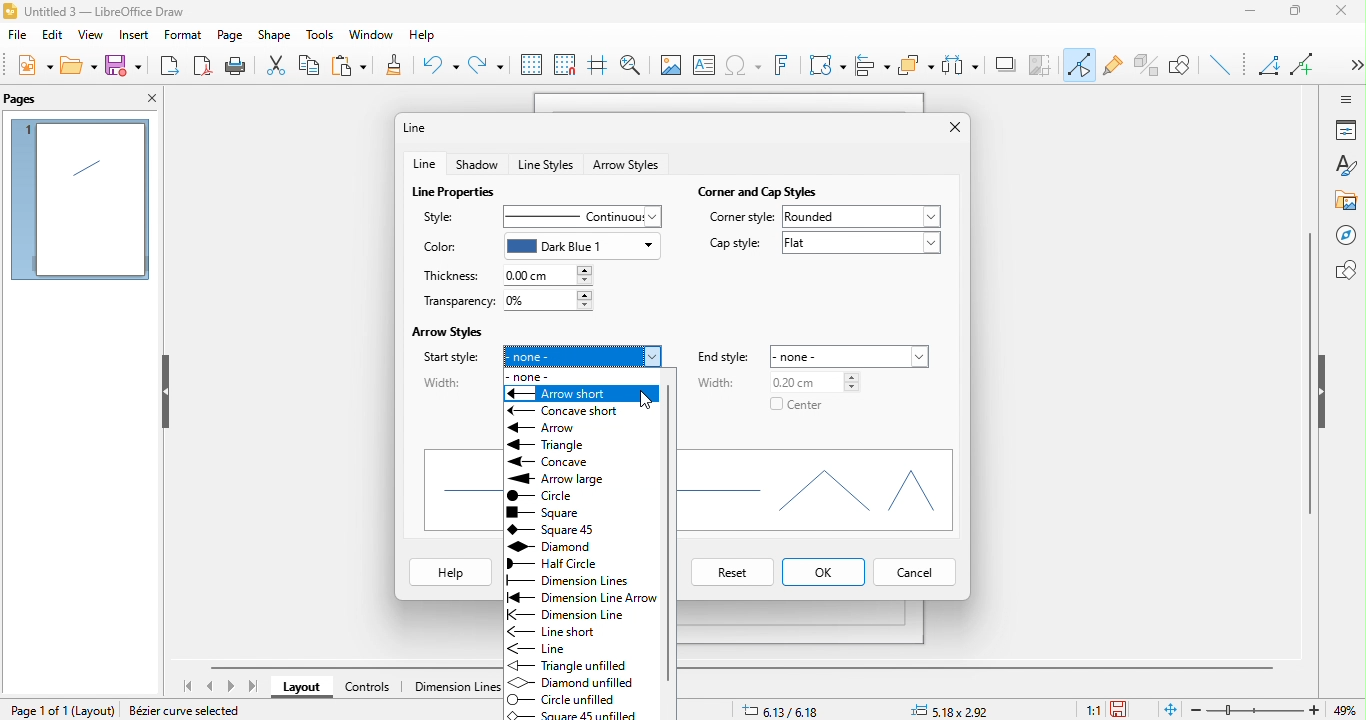  I want to click on close, so click(1347, 15).